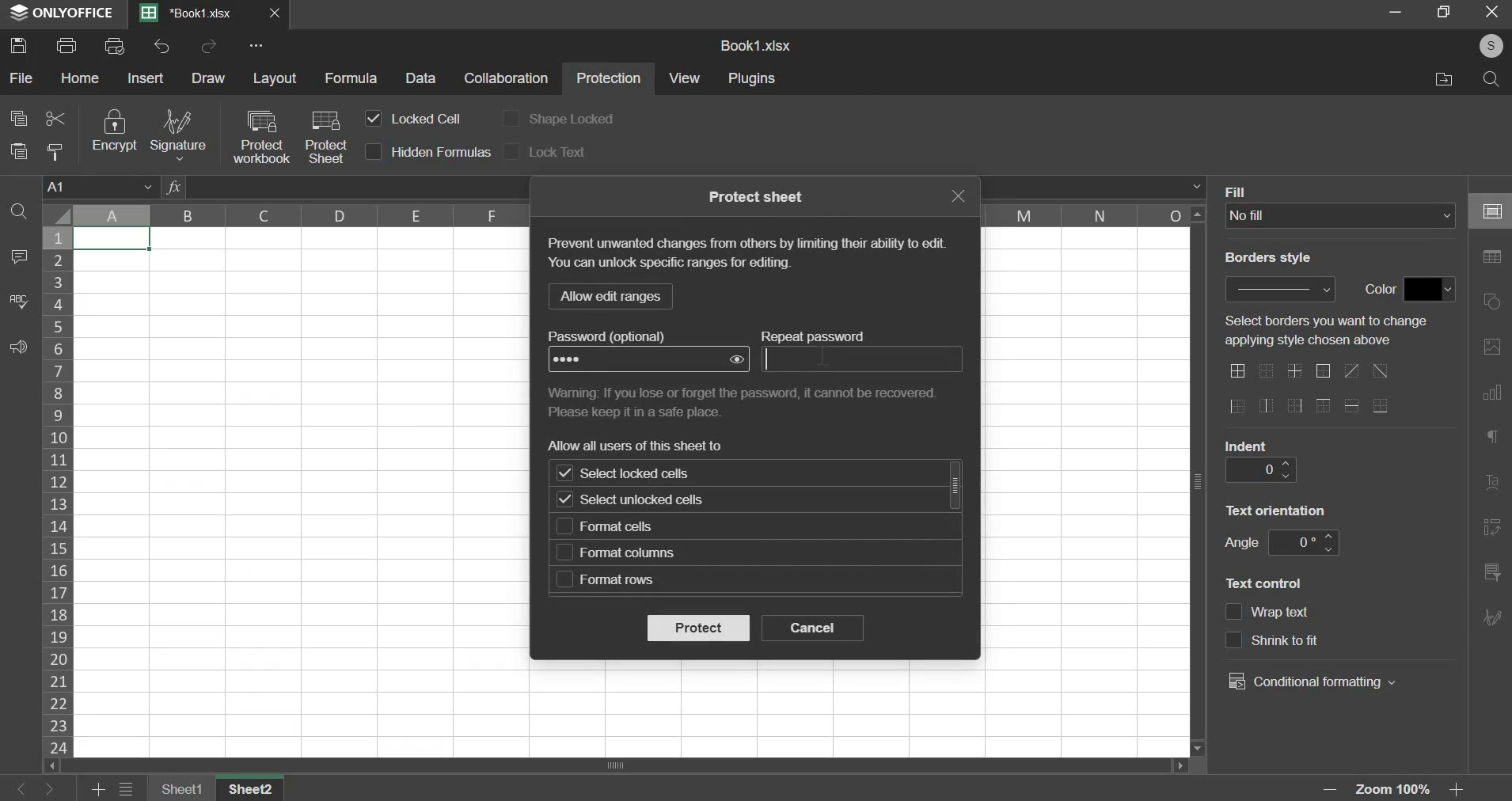 The height and width of the screenshot is (801, 1512). I want to click on right, so click(48, 790).